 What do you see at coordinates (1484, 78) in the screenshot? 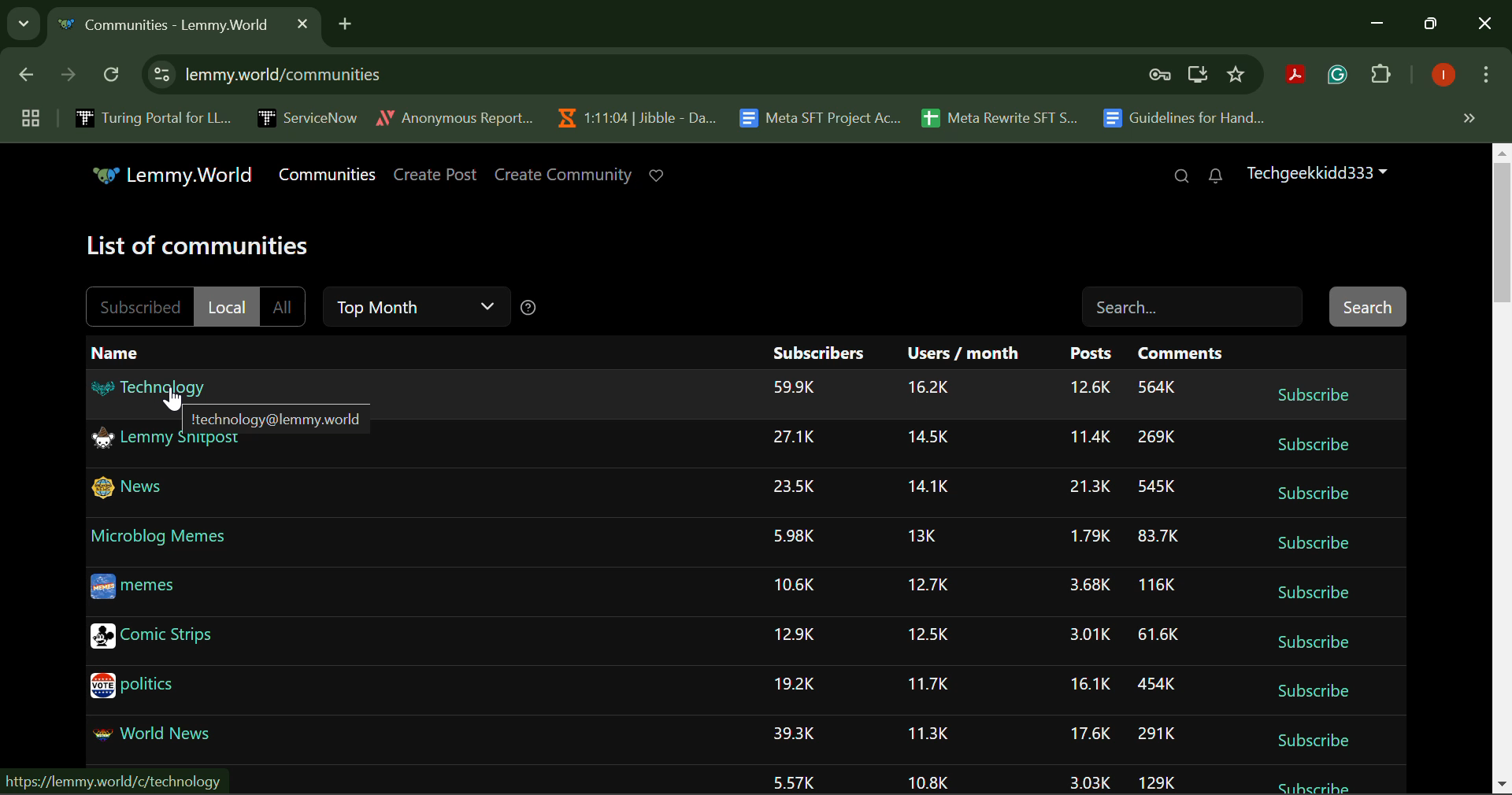
I see `More Options` at bounding box center [1484, 78].